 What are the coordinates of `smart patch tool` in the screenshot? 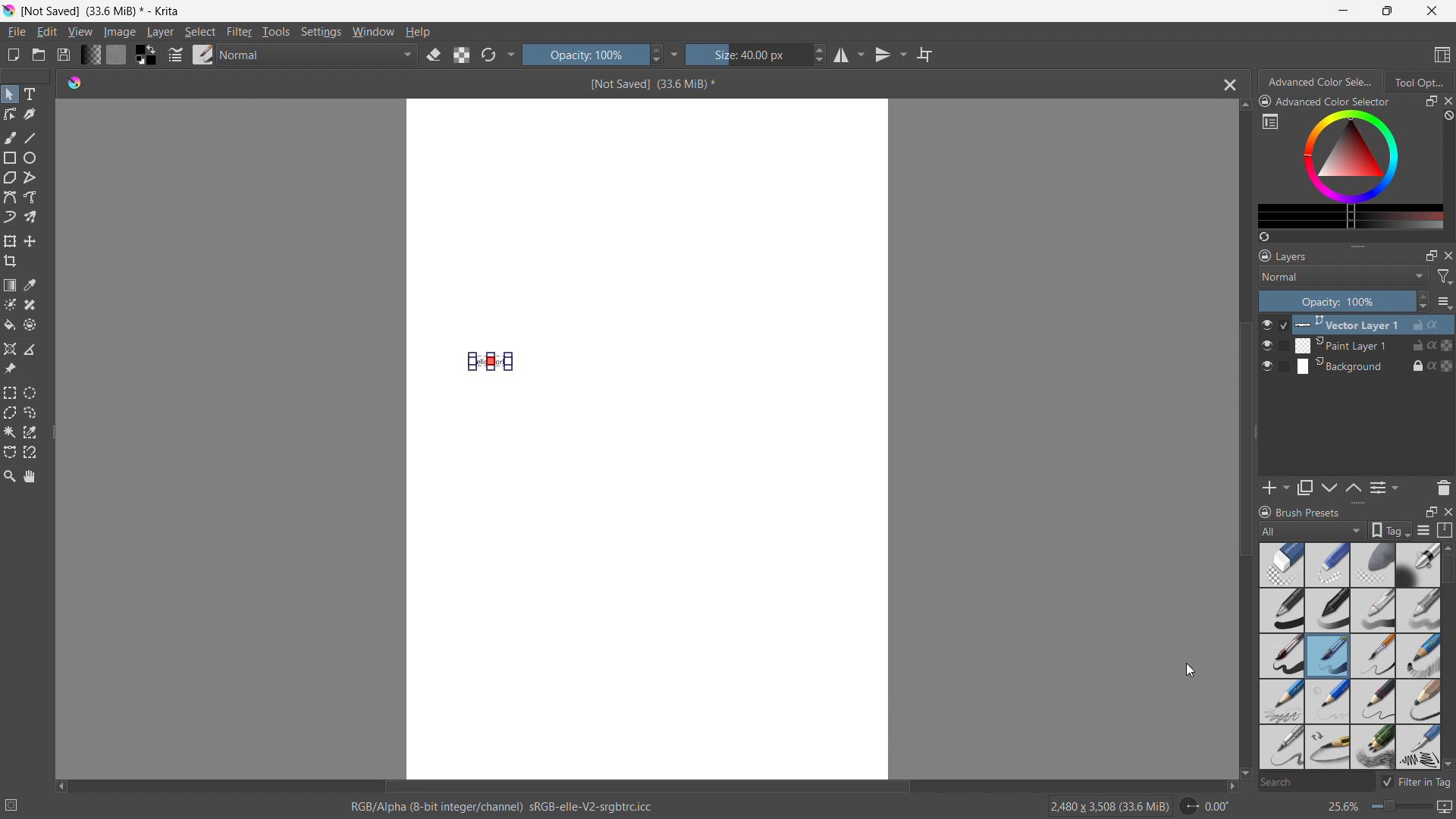 It's located at (30, 305).